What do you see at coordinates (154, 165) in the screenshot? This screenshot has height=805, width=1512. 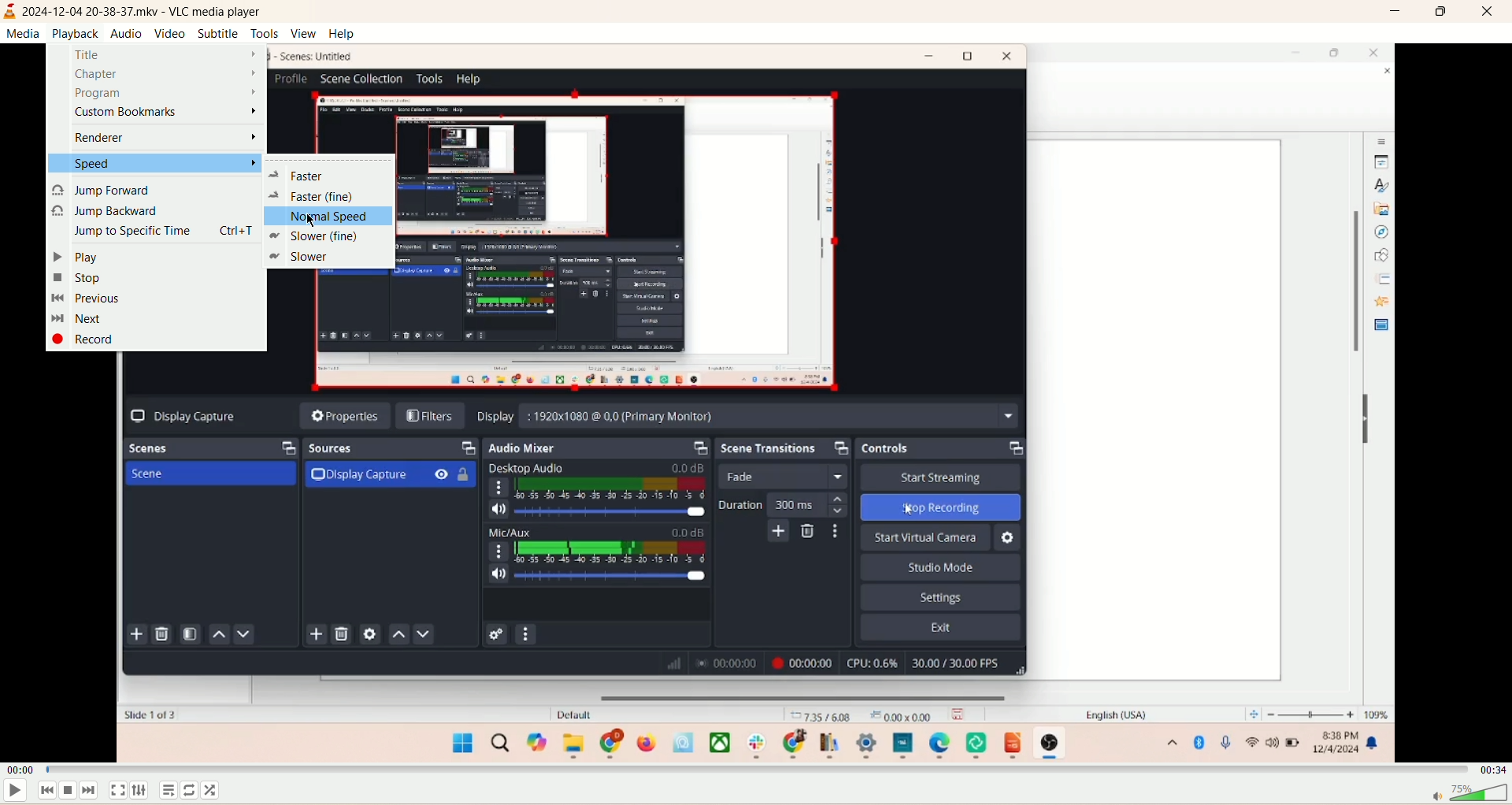 I see `speed` at bounding box center [154, 165].